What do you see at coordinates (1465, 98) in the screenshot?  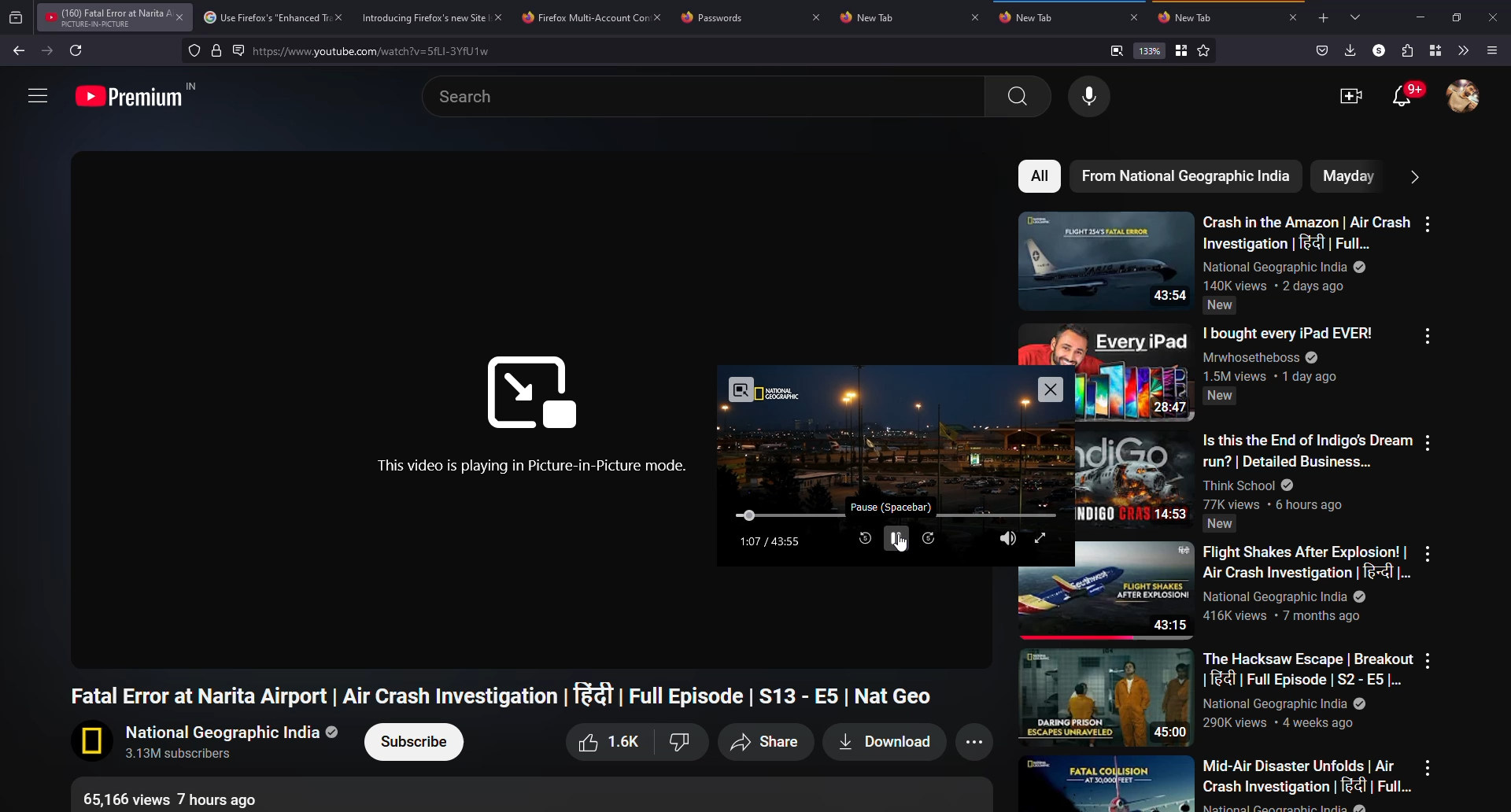 I see `account` at bounding box center [1465, 98].